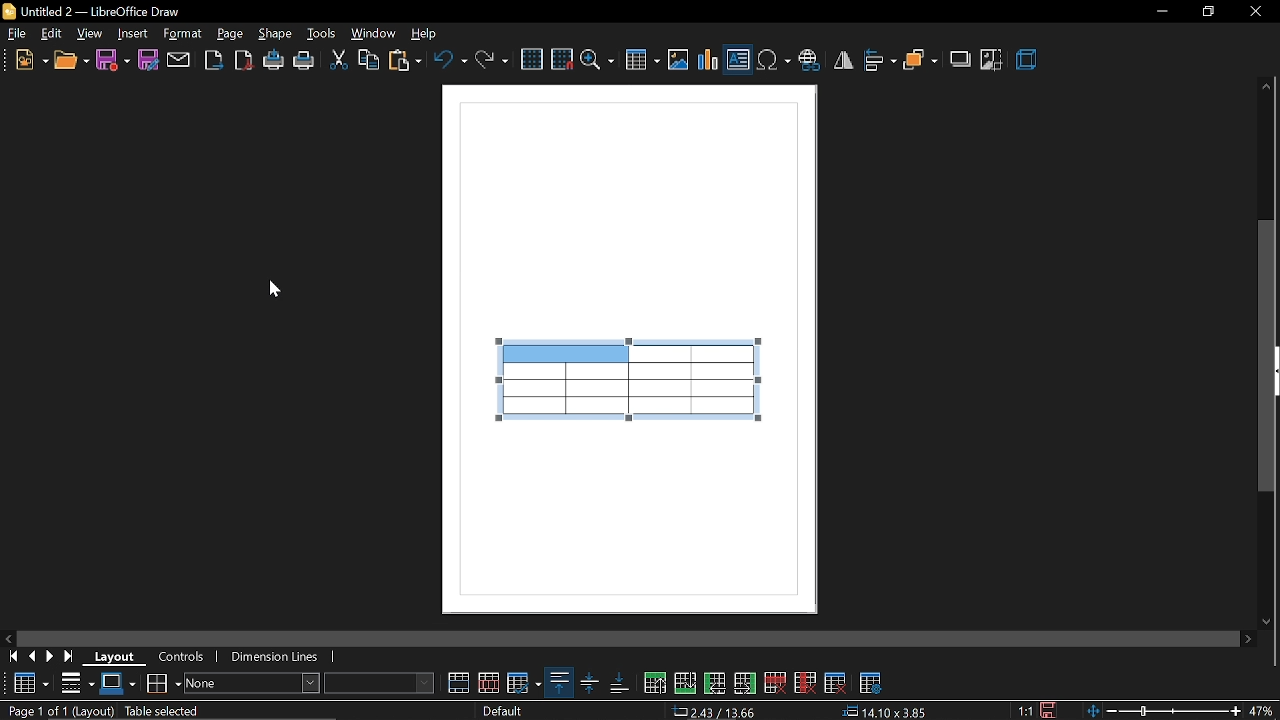  What do you see at coordinates (149, 61) in the screenshot?
I see `save as` at bounding box center [149, 61].